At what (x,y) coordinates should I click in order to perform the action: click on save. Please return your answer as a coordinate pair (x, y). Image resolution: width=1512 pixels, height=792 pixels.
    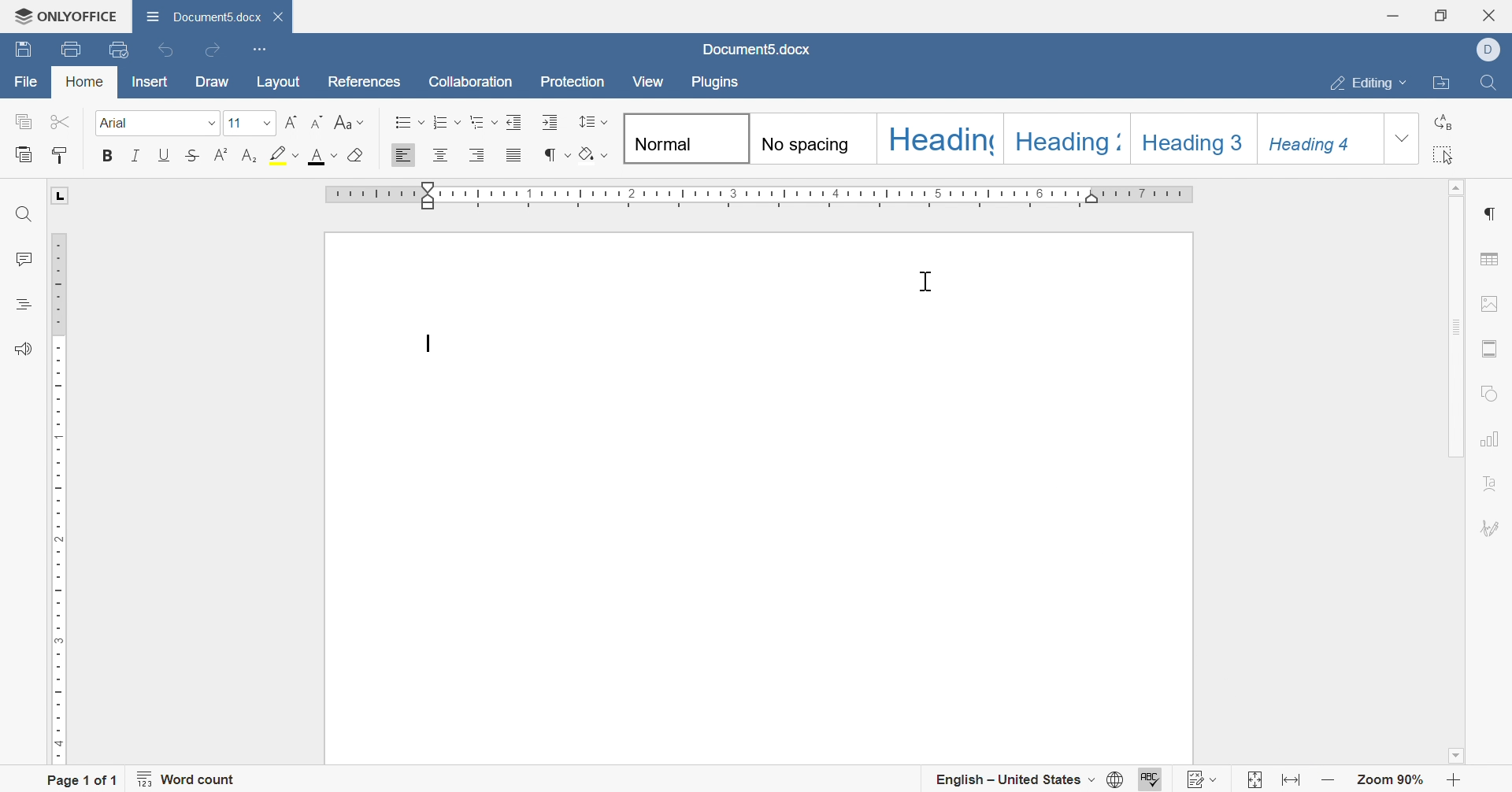
    Looking at the image, I should click on (25, 50).